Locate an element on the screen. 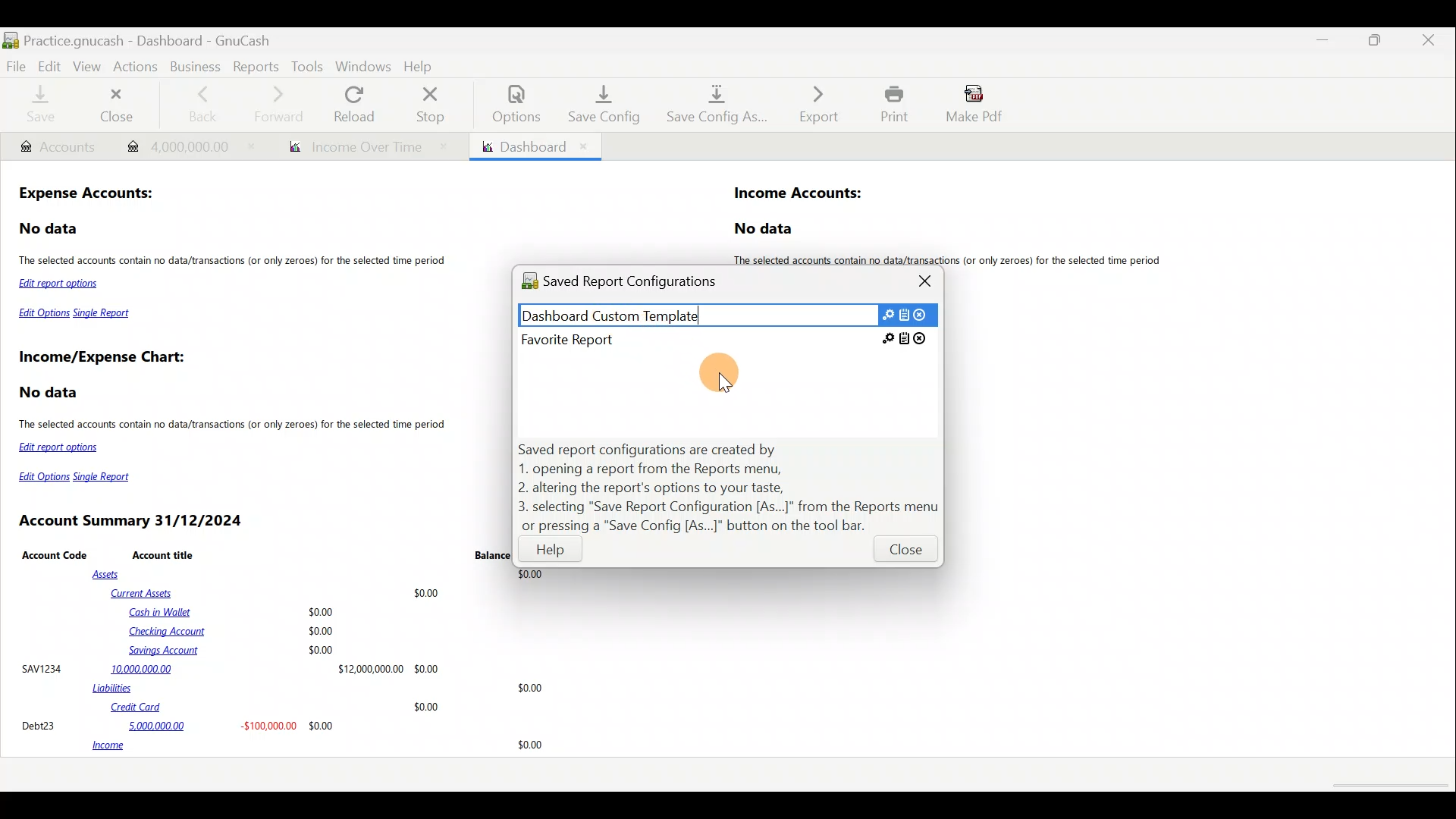  scroll is located at coordinates (1388, 786).